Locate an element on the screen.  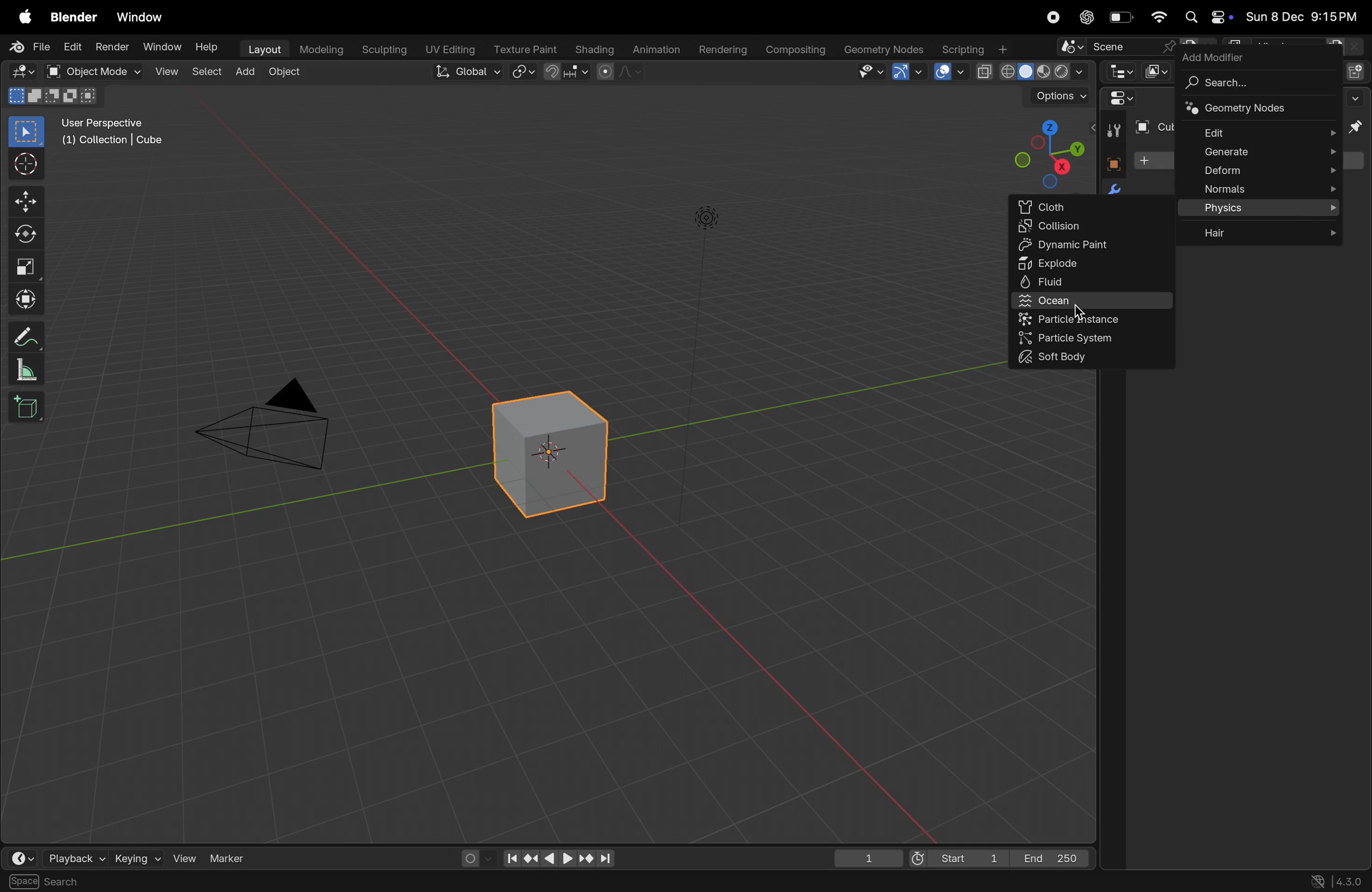
move is located at coordinates (25, 201).